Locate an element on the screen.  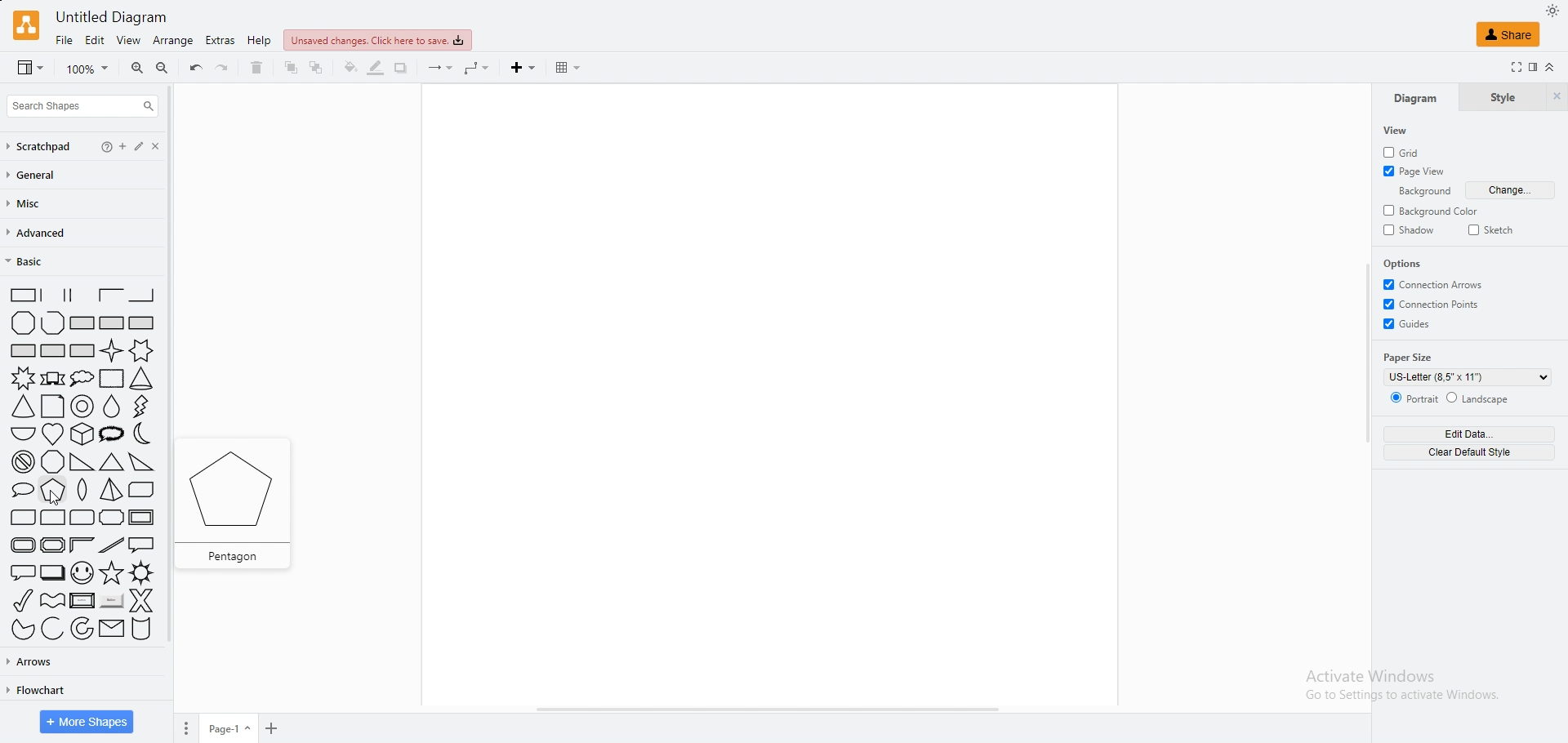
button is located at coordinates (82, 600).